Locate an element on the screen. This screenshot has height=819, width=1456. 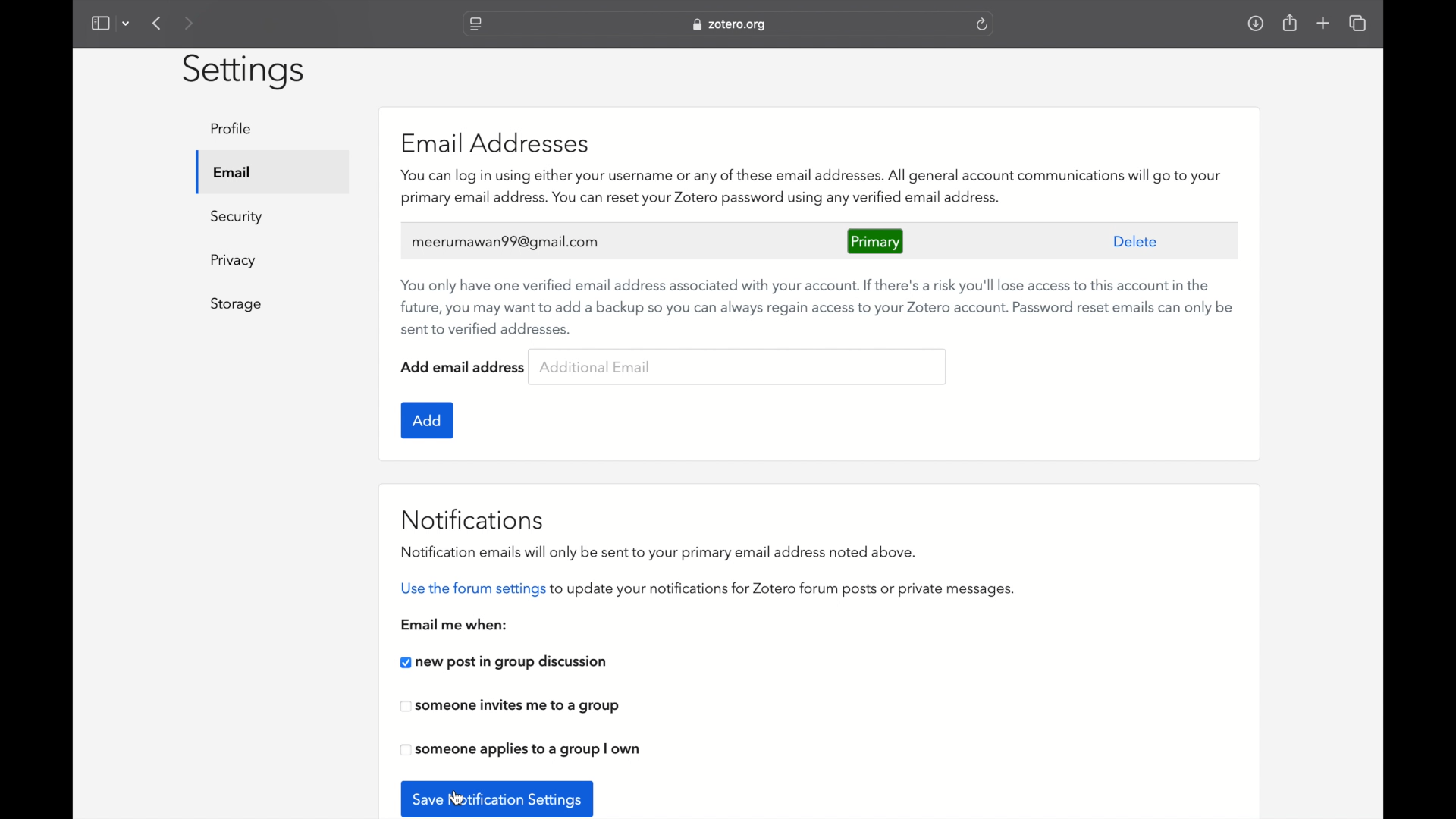
email me when: is located at coordinates (456, 625).